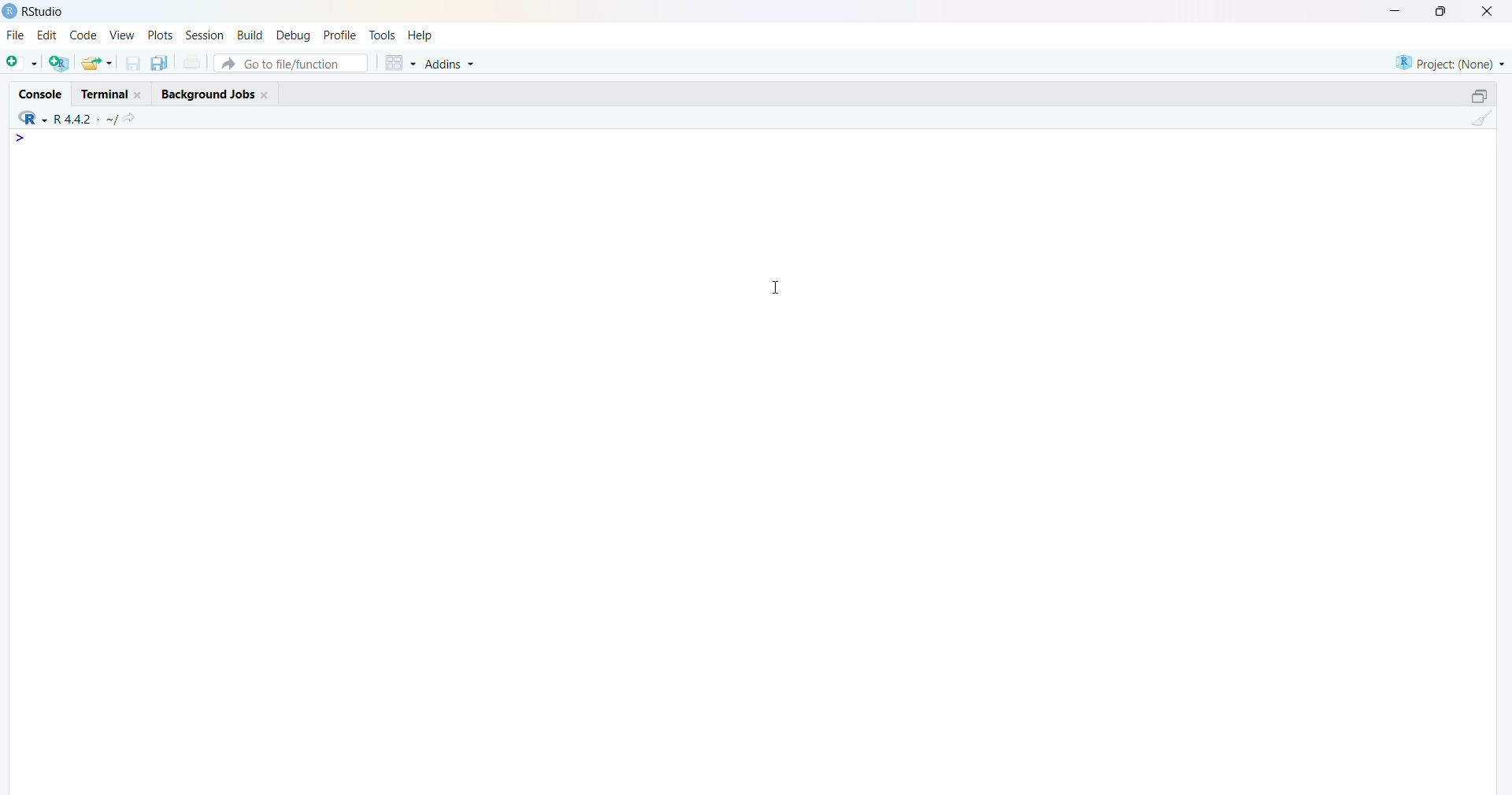  What do you see at coordinates (132, 118) in the screenshot?
I see `share` at bounding box center [132, 118].